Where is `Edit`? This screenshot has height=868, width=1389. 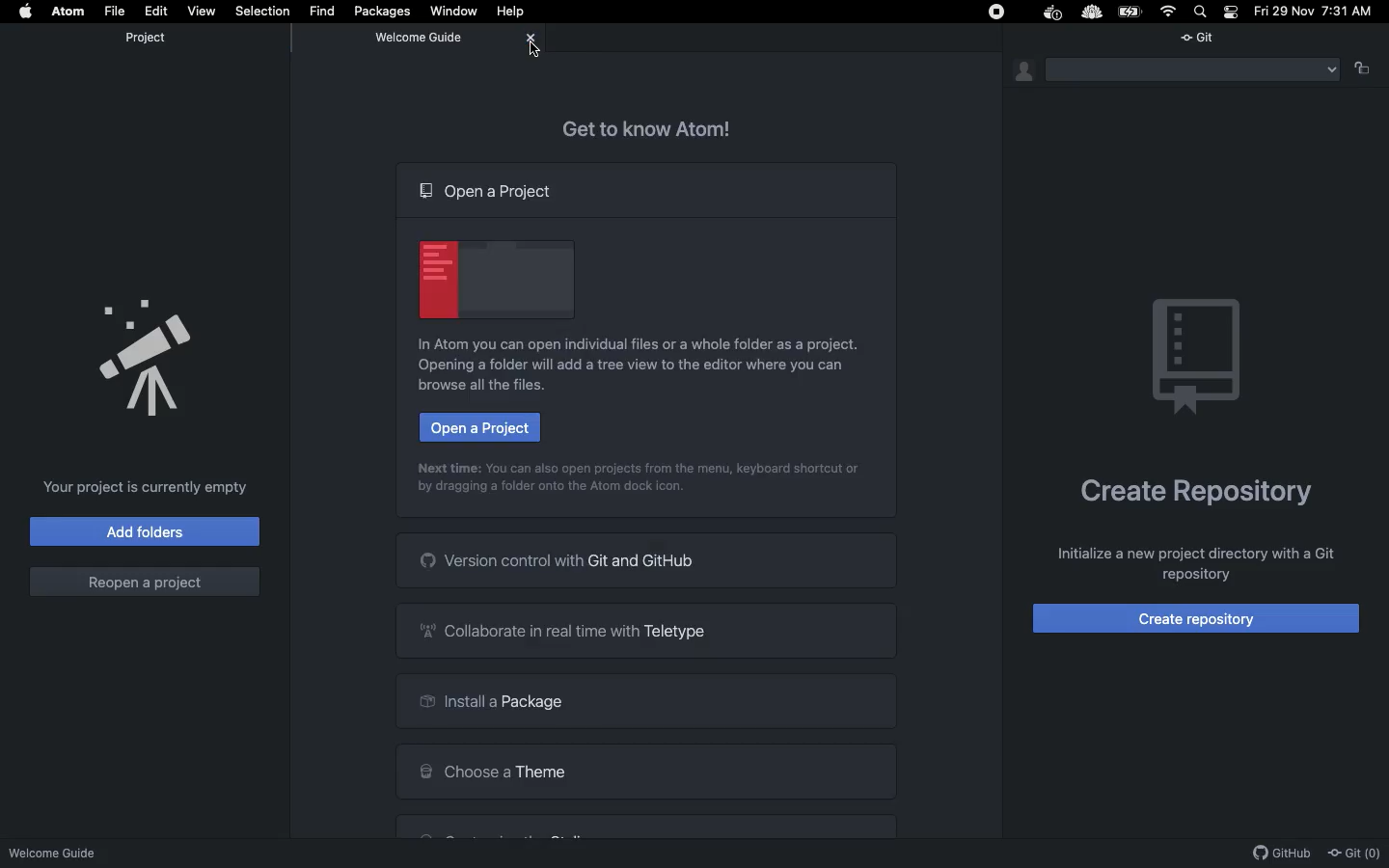
Edit is located at coordinates (157, 10).